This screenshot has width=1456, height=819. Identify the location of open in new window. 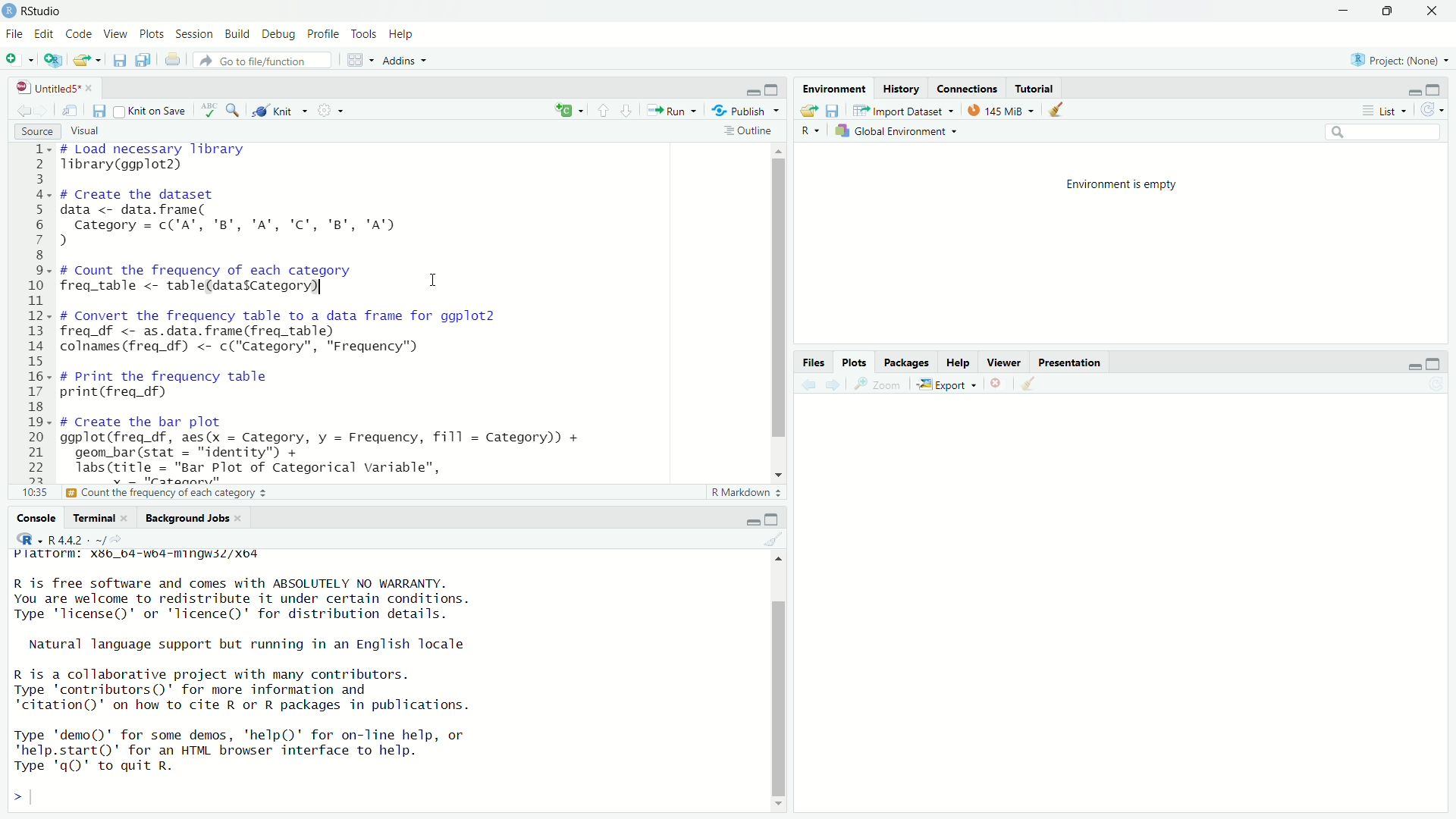
(52, 61).